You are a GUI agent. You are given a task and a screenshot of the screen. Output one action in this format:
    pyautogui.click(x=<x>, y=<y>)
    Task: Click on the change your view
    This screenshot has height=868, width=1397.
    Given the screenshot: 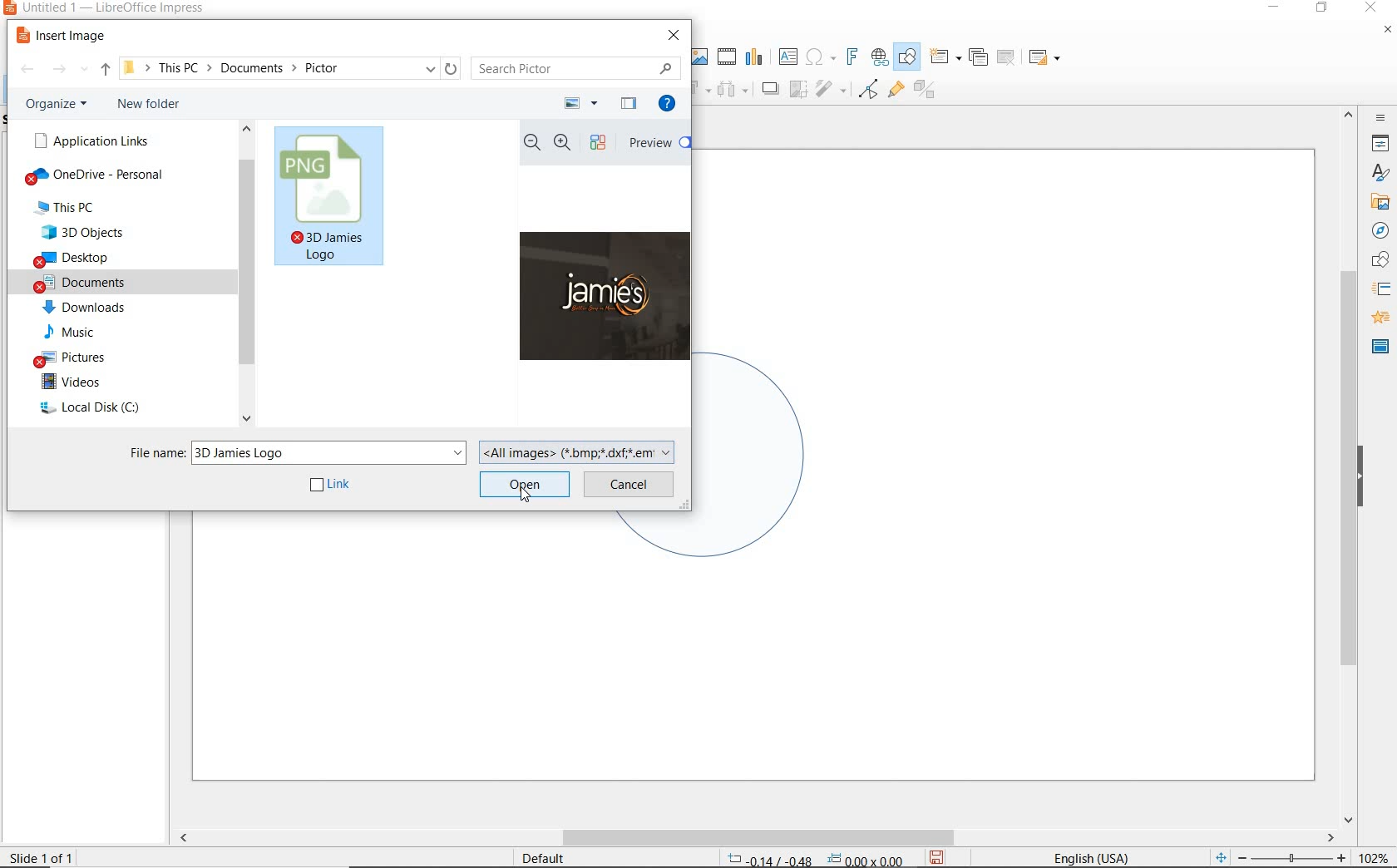 What is the action you would take?
    pyautogui.click(x=582, y=104)
    